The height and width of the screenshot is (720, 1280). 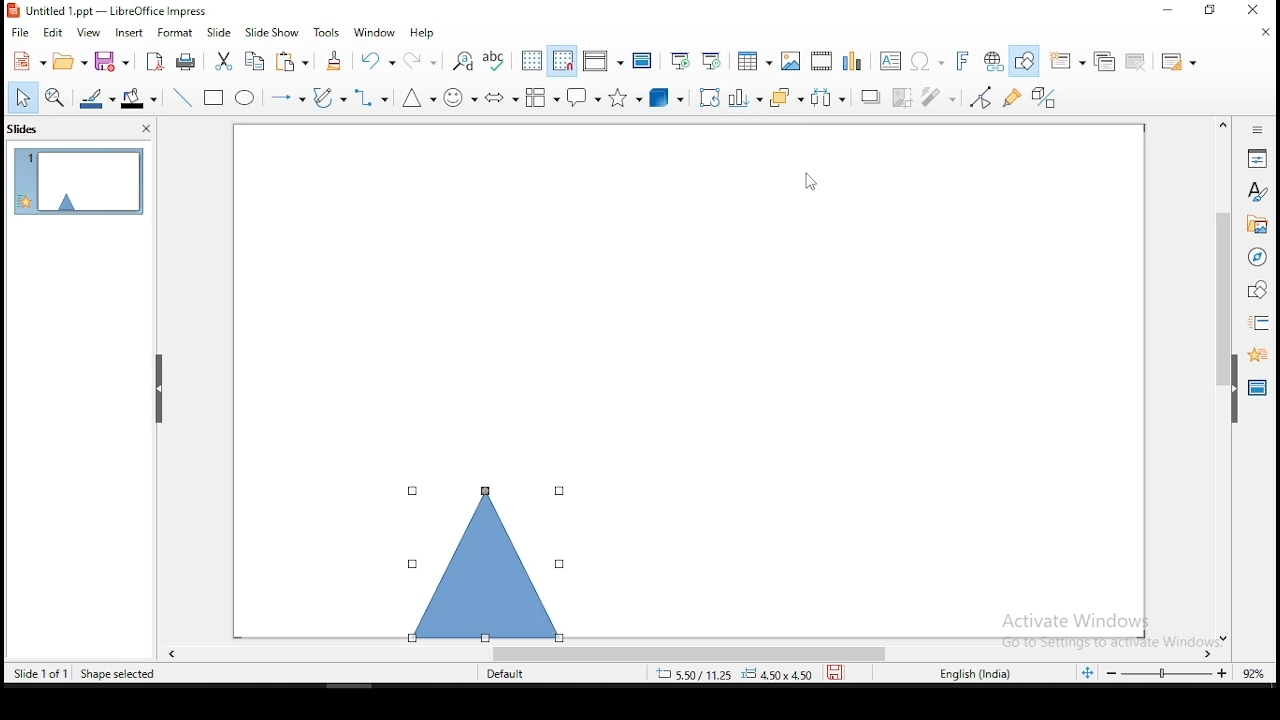 What do you see at coordinates (187, 63) in the screenshot?
I see `print` at bounding box center [187, 63].